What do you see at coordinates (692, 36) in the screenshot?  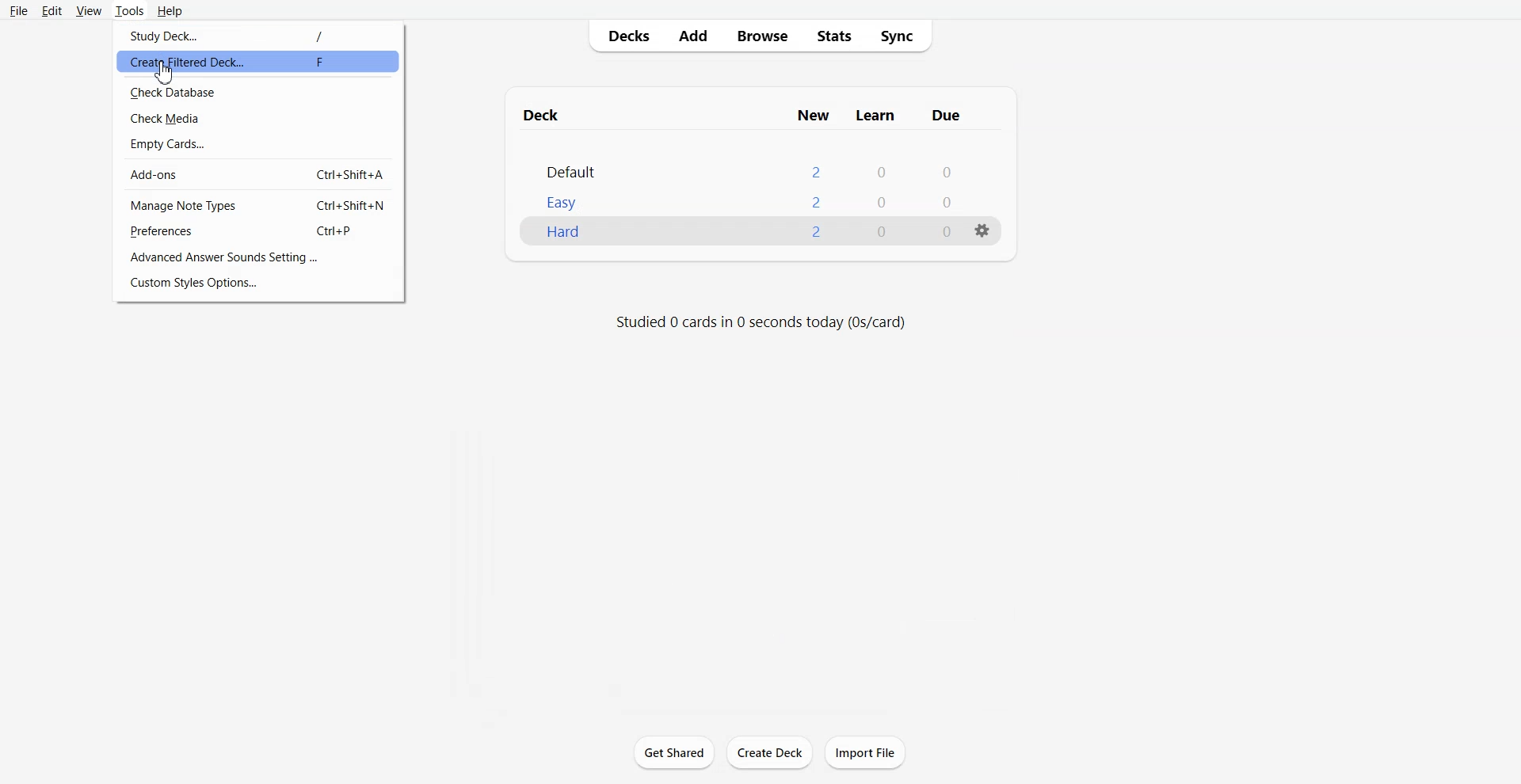 I see `Add` at bounding box center [692, 36].